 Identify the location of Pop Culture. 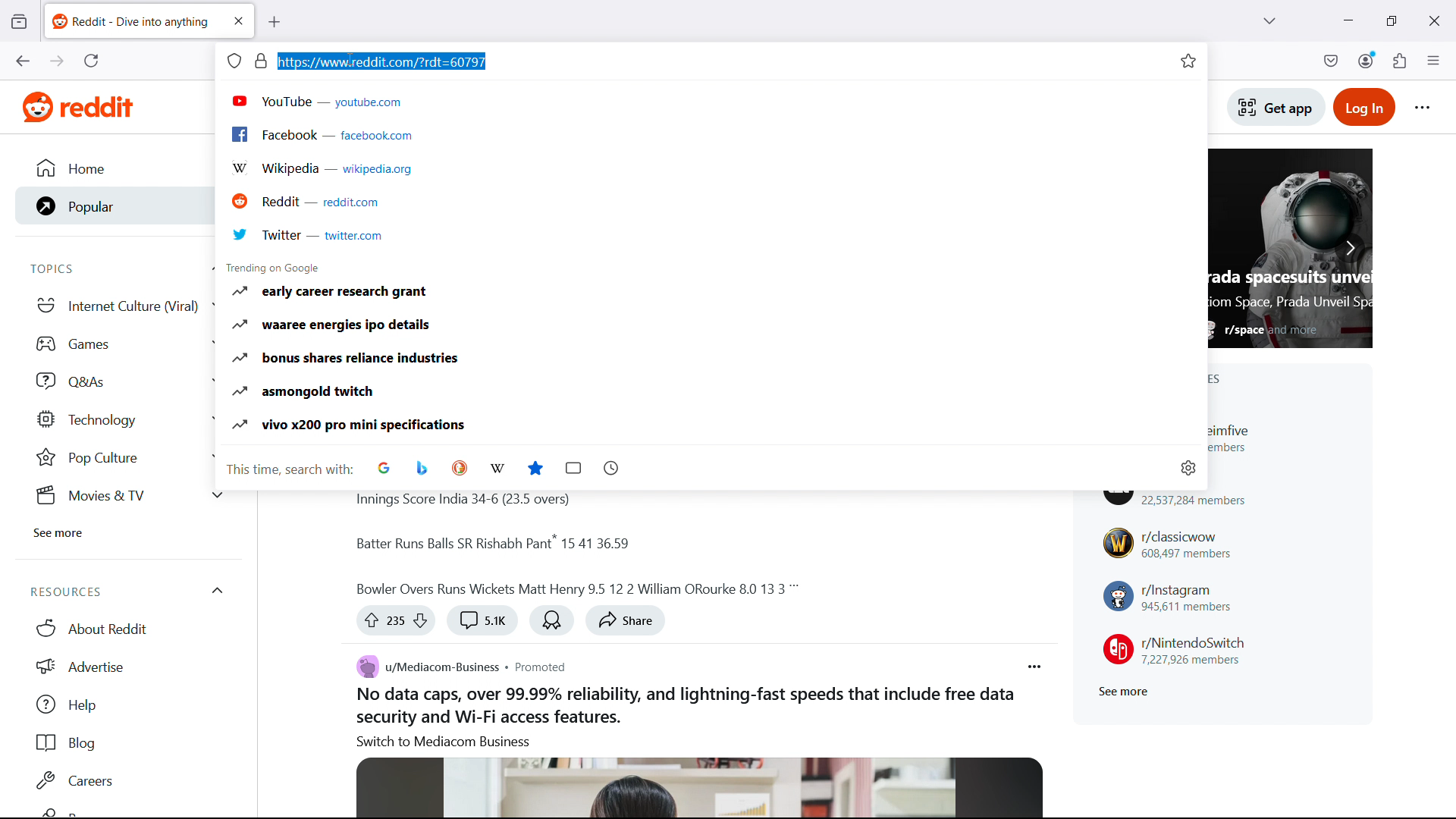
(111, 459).